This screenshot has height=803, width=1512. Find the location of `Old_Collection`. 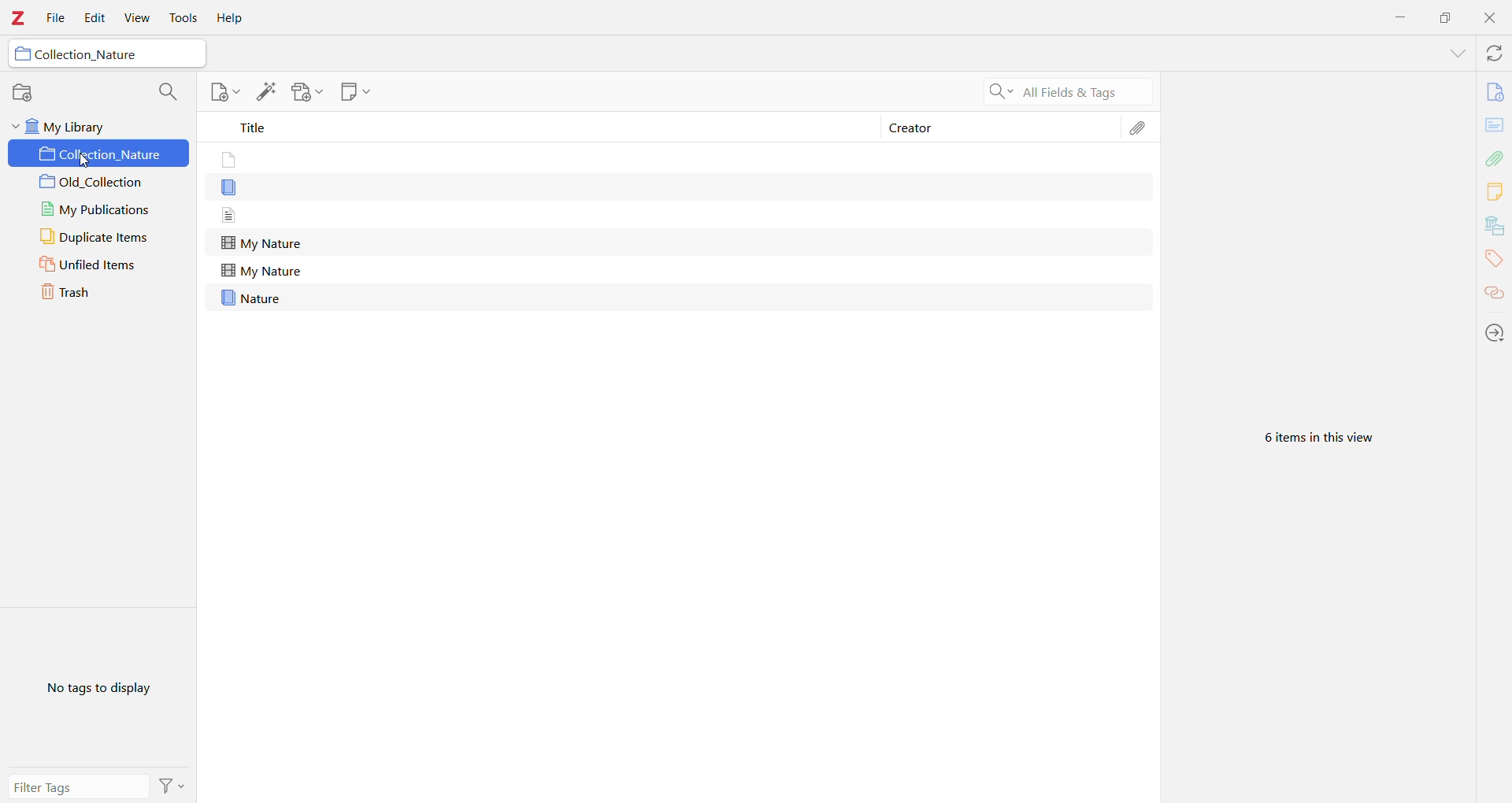

Old_Collection is located at coordinates (102, 183).